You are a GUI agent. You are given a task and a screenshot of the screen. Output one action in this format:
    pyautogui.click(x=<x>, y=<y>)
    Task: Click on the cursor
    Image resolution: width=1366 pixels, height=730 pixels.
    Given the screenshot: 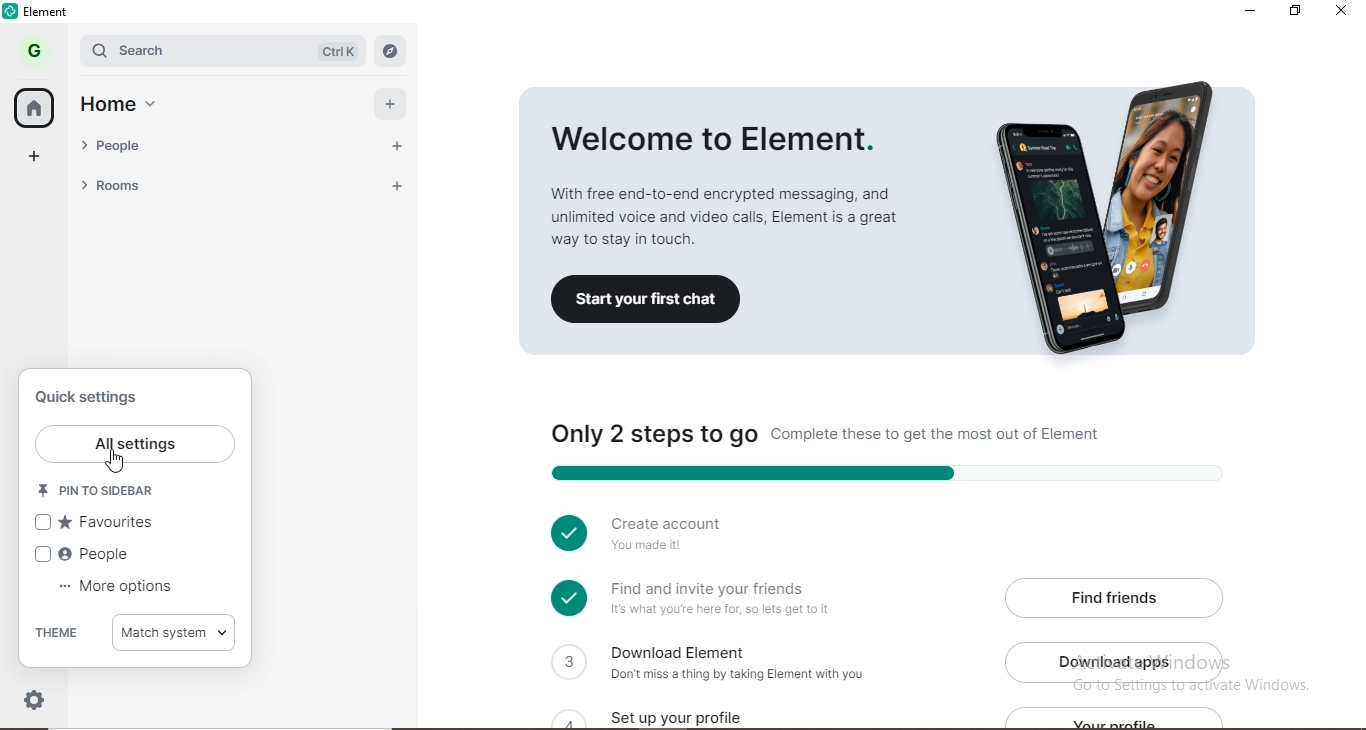 What is the action you would take?
    pyautogui.click(x=116, y=464)
    